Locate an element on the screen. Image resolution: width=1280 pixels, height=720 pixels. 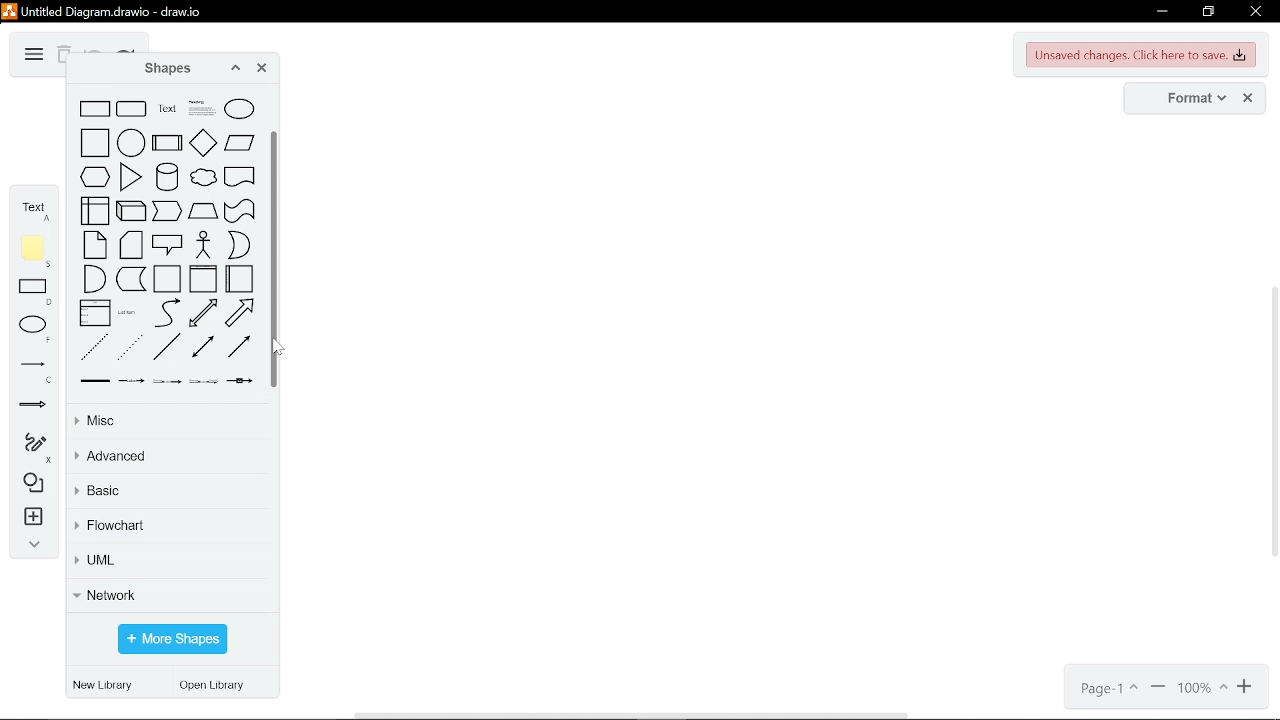
flowchart is located at coordinates (168, 527).